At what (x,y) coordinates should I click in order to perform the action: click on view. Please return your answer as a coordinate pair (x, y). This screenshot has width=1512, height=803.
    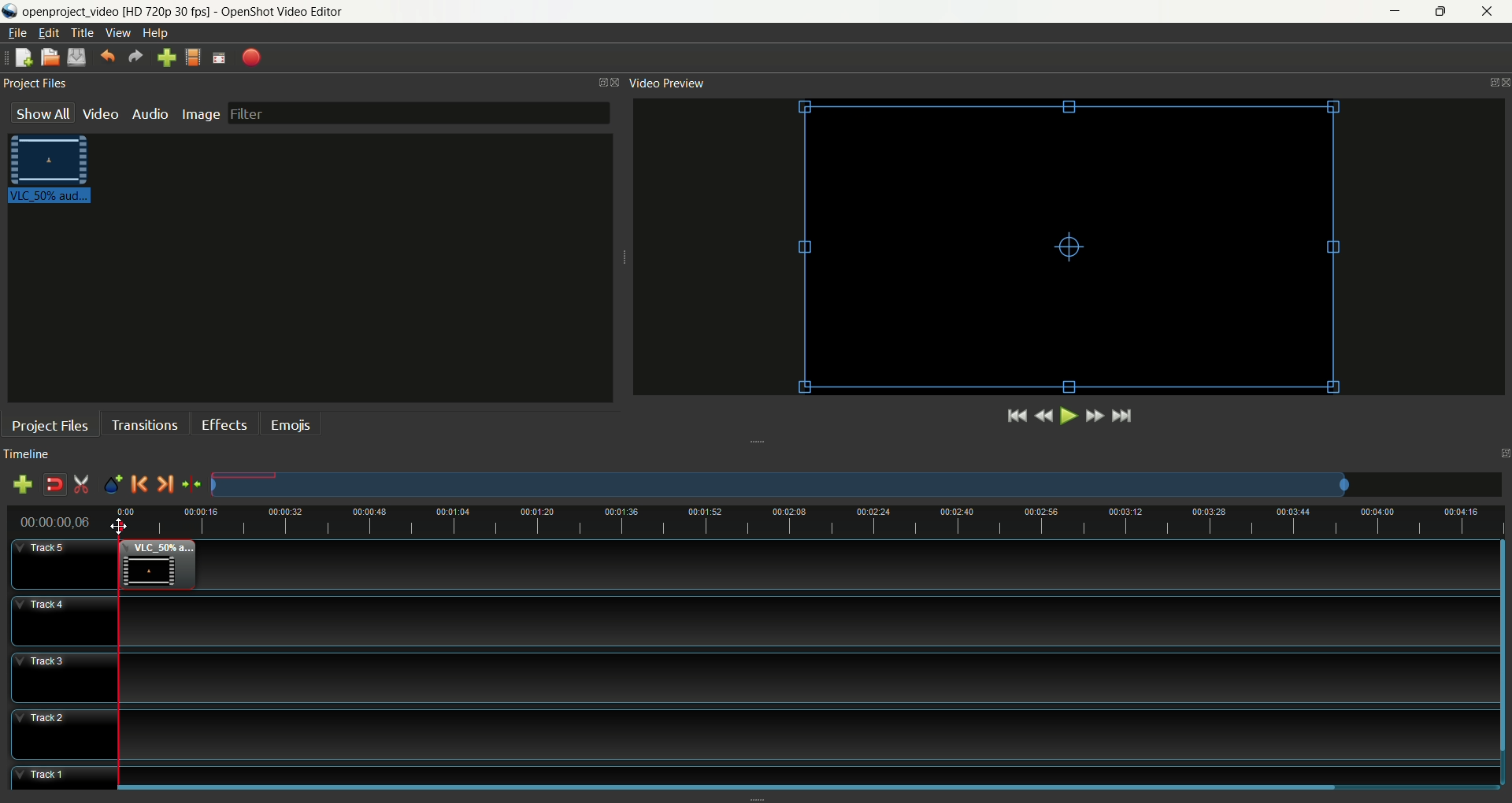
    Looking at the image, I should click on (117, 34).